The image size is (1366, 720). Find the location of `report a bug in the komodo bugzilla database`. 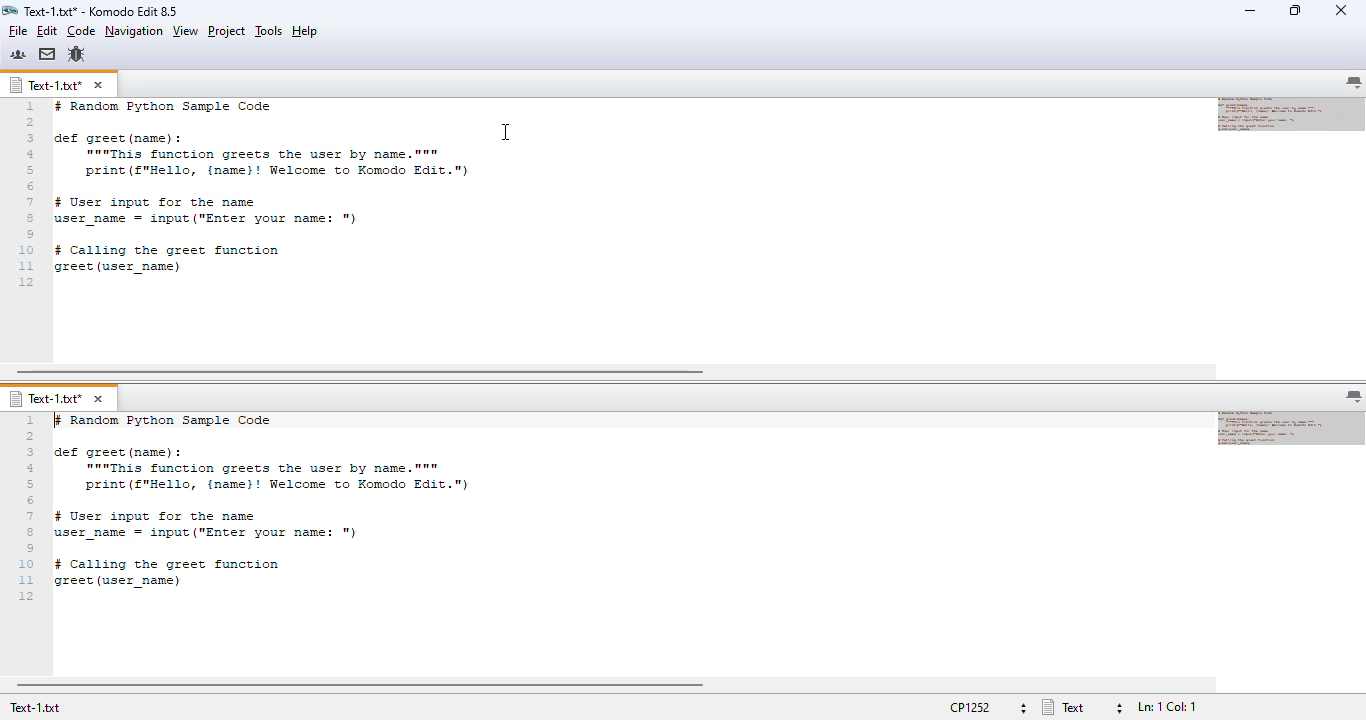

report a bug in the komodo bugzilla database is located at coordinates (77, 54).